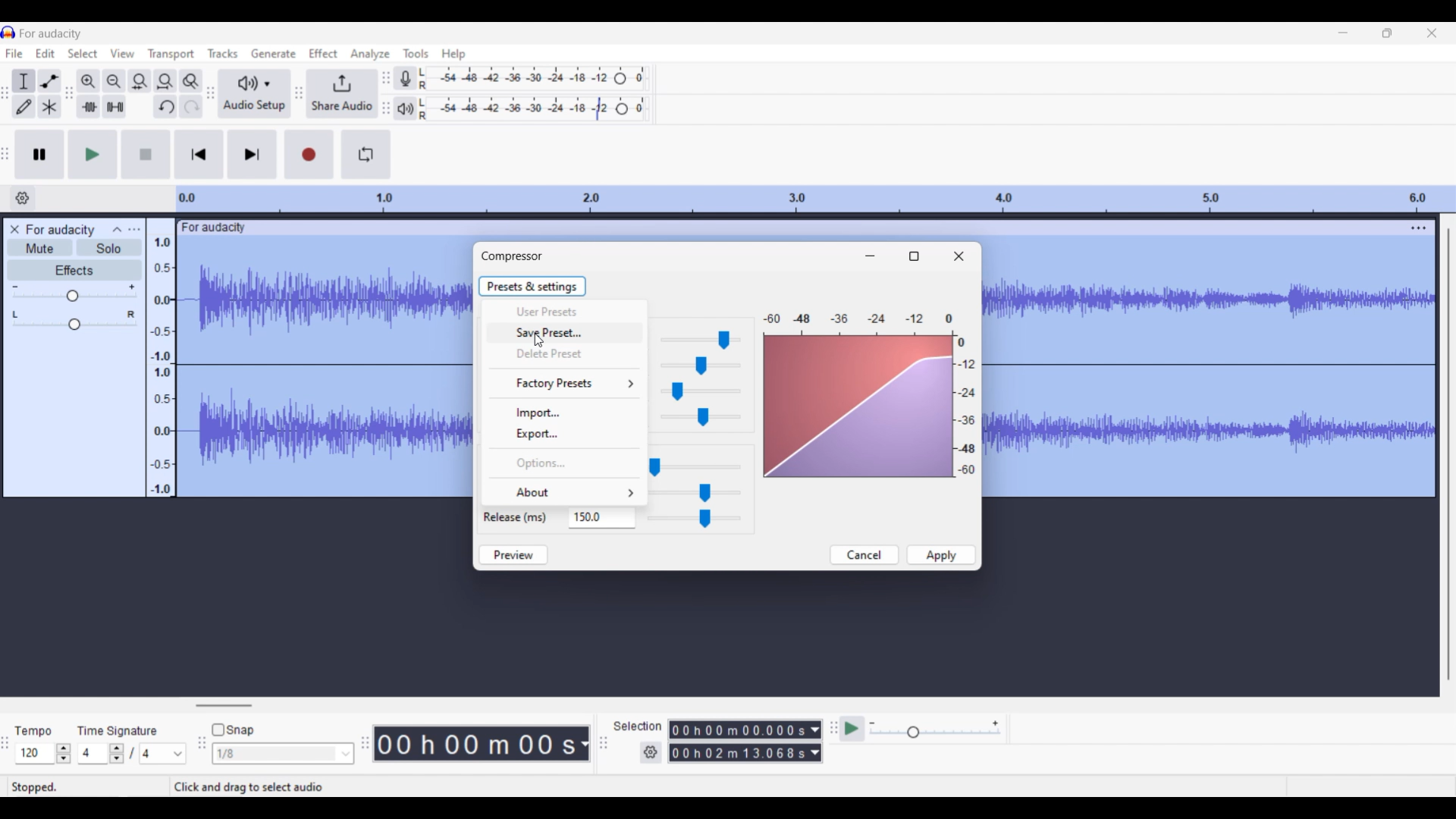 This screenshot has width=1456, height=819. I want to click on Delete preset, so click(566, 353).